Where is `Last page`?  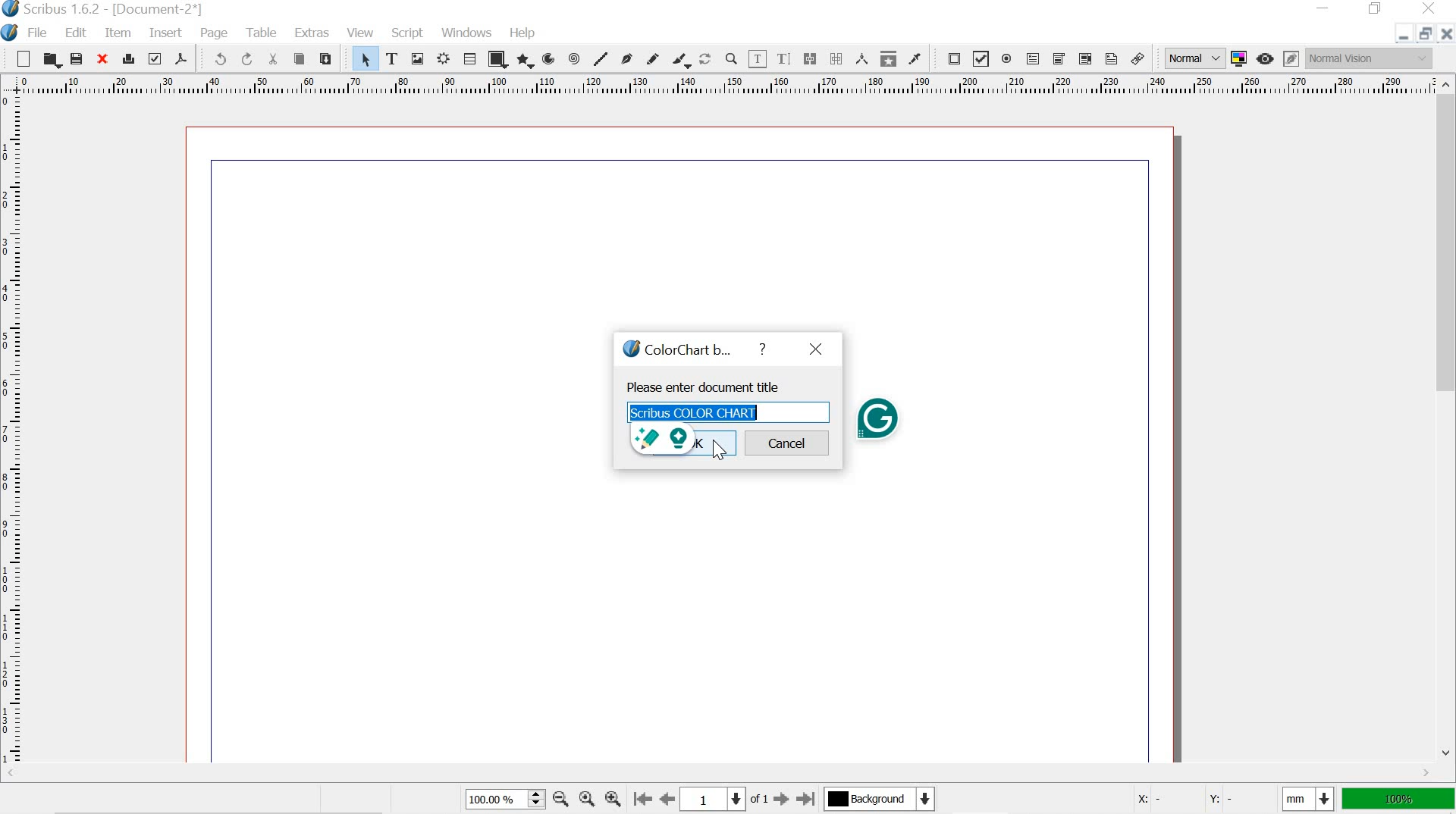
Last page is located at coordinates (807, 800).